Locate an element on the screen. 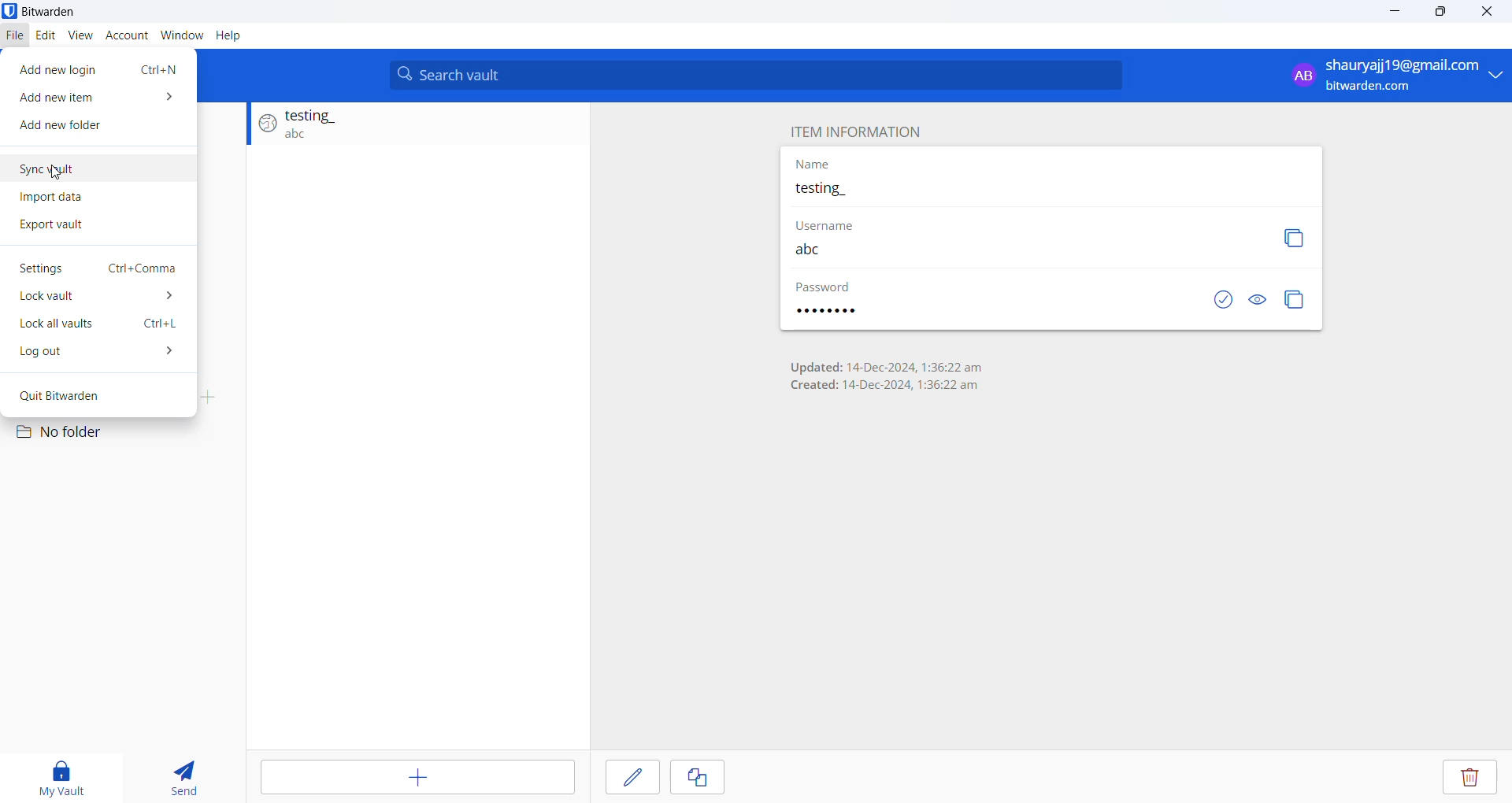 The height and width of the screenshot is (803, 1512). Add item is located at coordinates (415, 778).